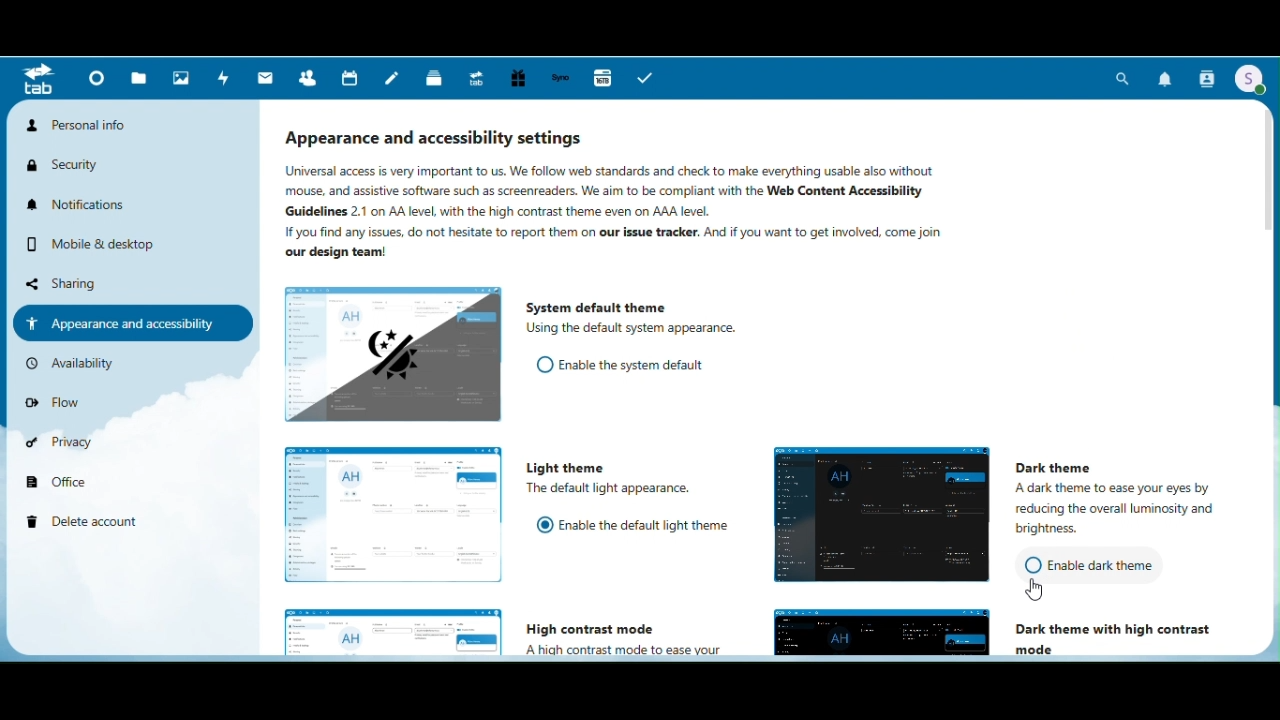  Describe the element at coordinates (264, 79) in the screenshot. I see `Mail` at that location.